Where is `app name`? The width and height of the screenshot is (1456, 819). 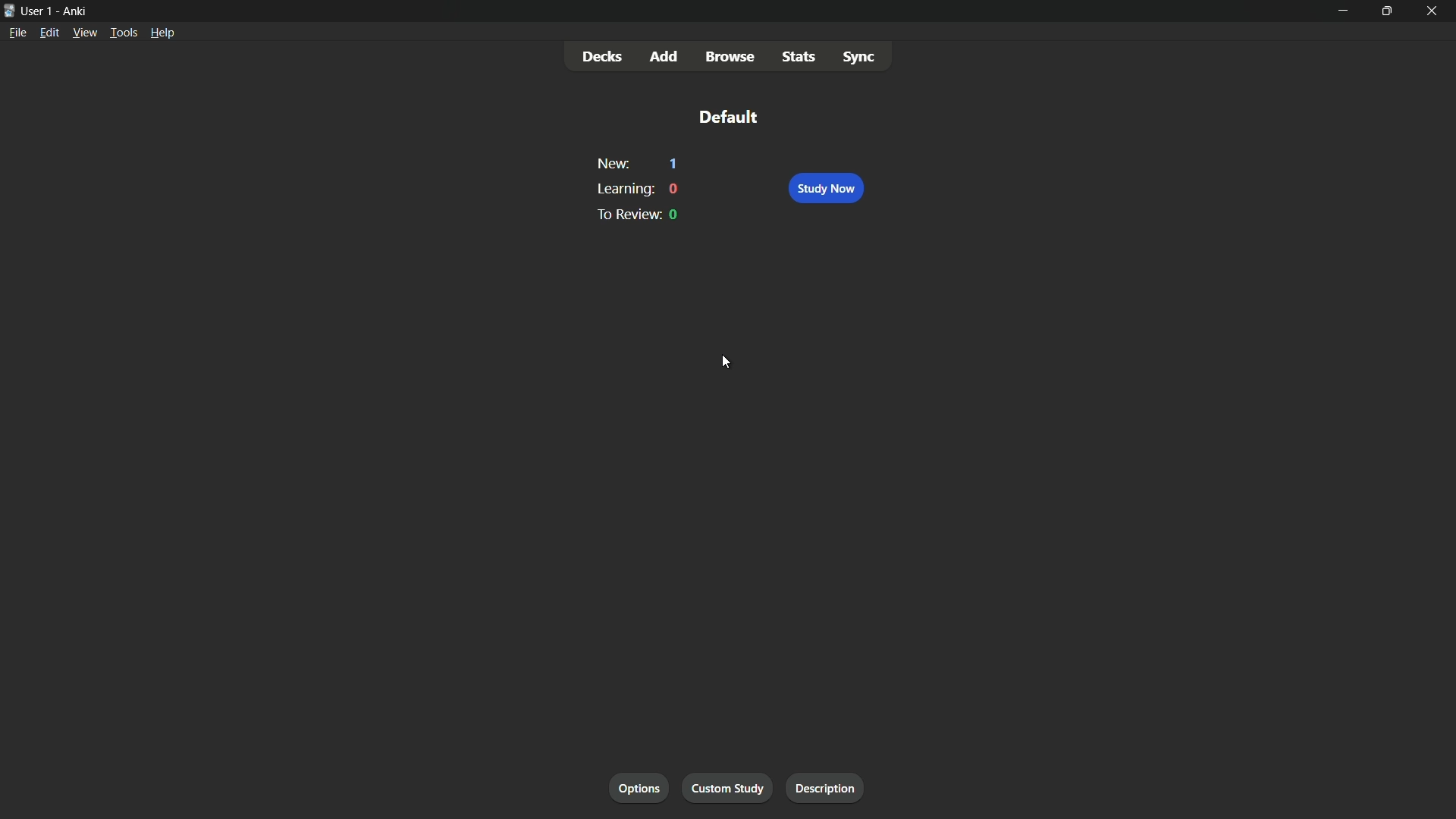
app name is located at coordinates (77, 9).